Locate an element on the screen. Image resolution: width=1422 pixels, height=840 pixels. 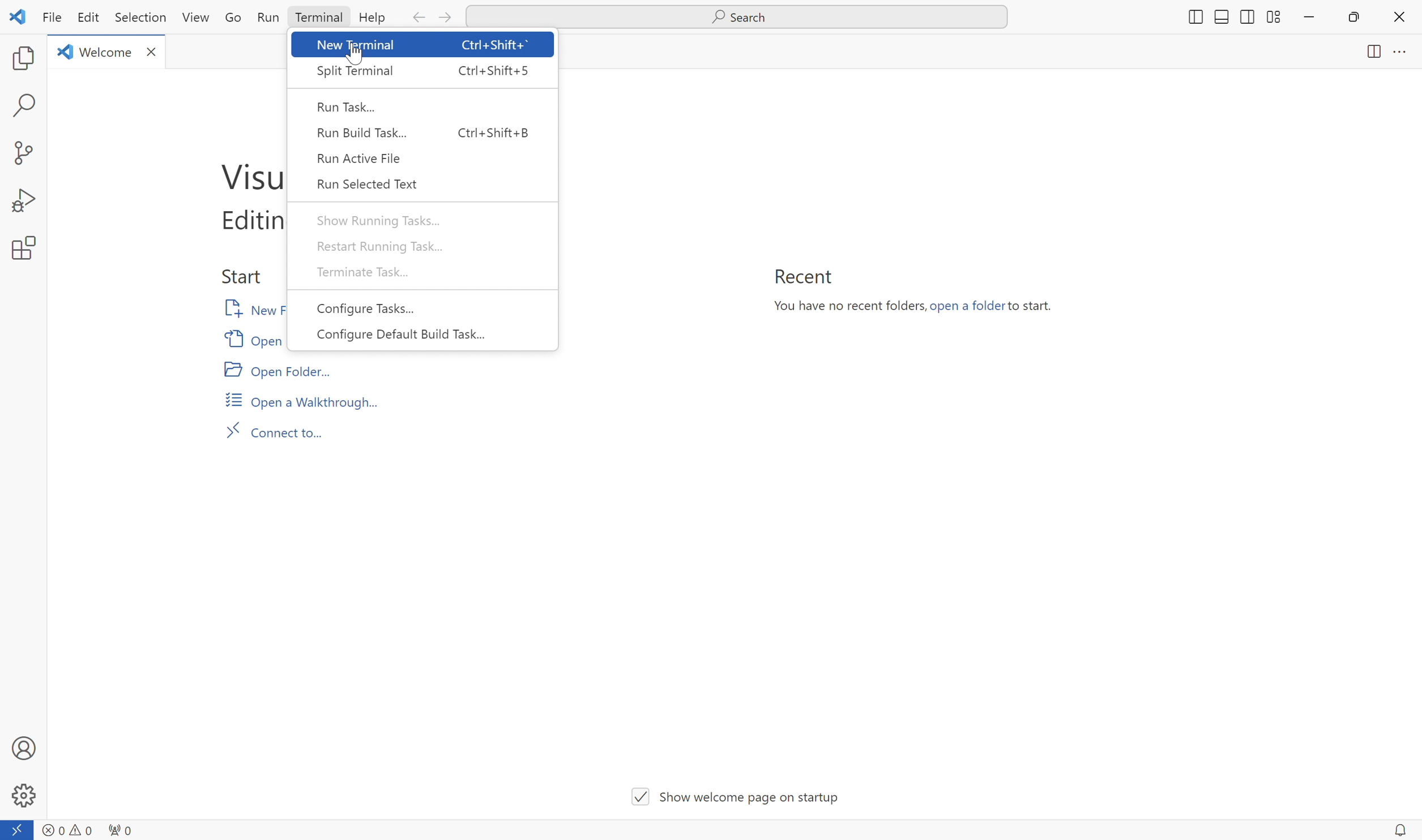
Settings is located at coordinates (23, 796).